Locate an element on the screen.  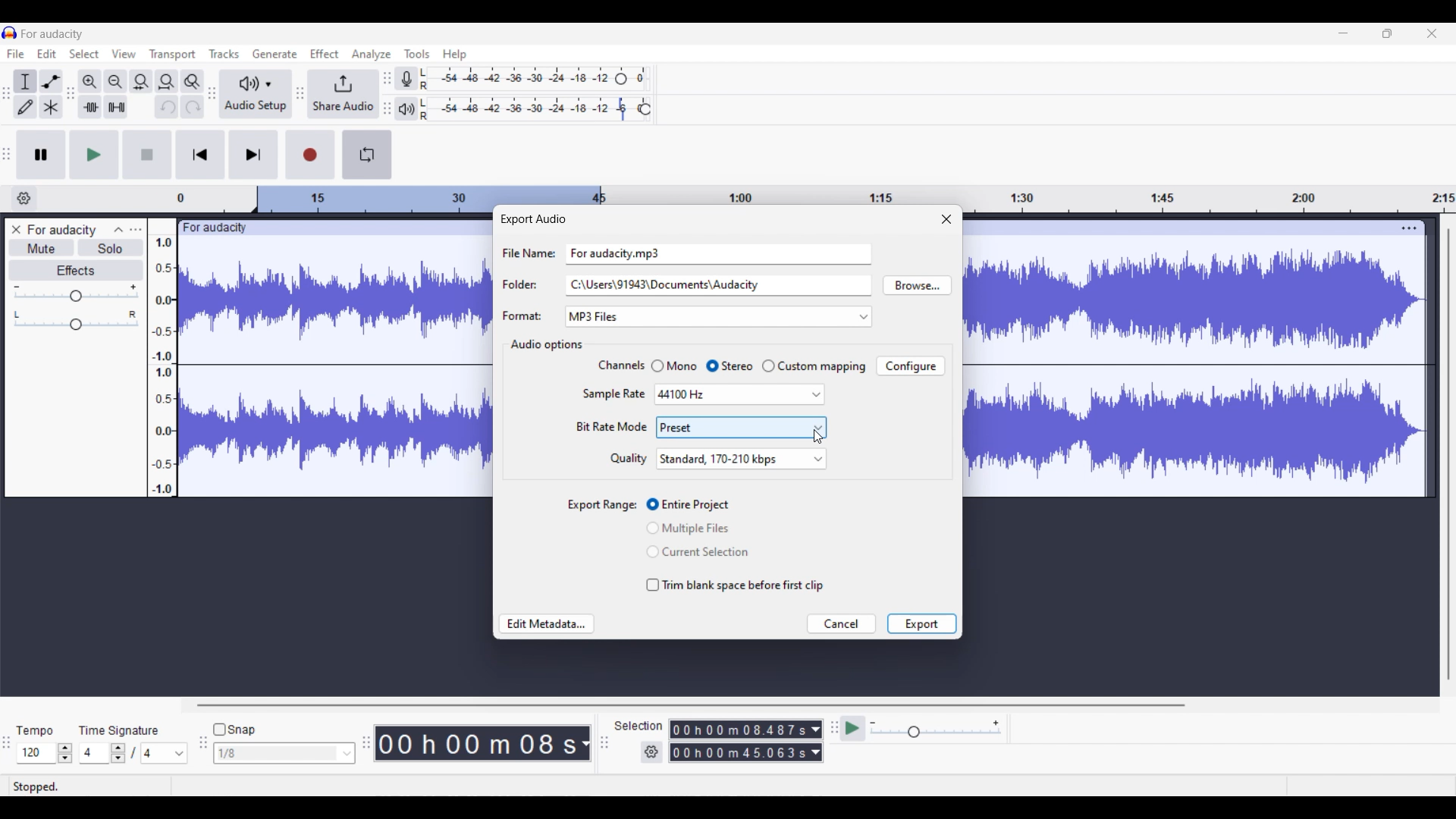
Open menu is located at coordinates (136, 229).